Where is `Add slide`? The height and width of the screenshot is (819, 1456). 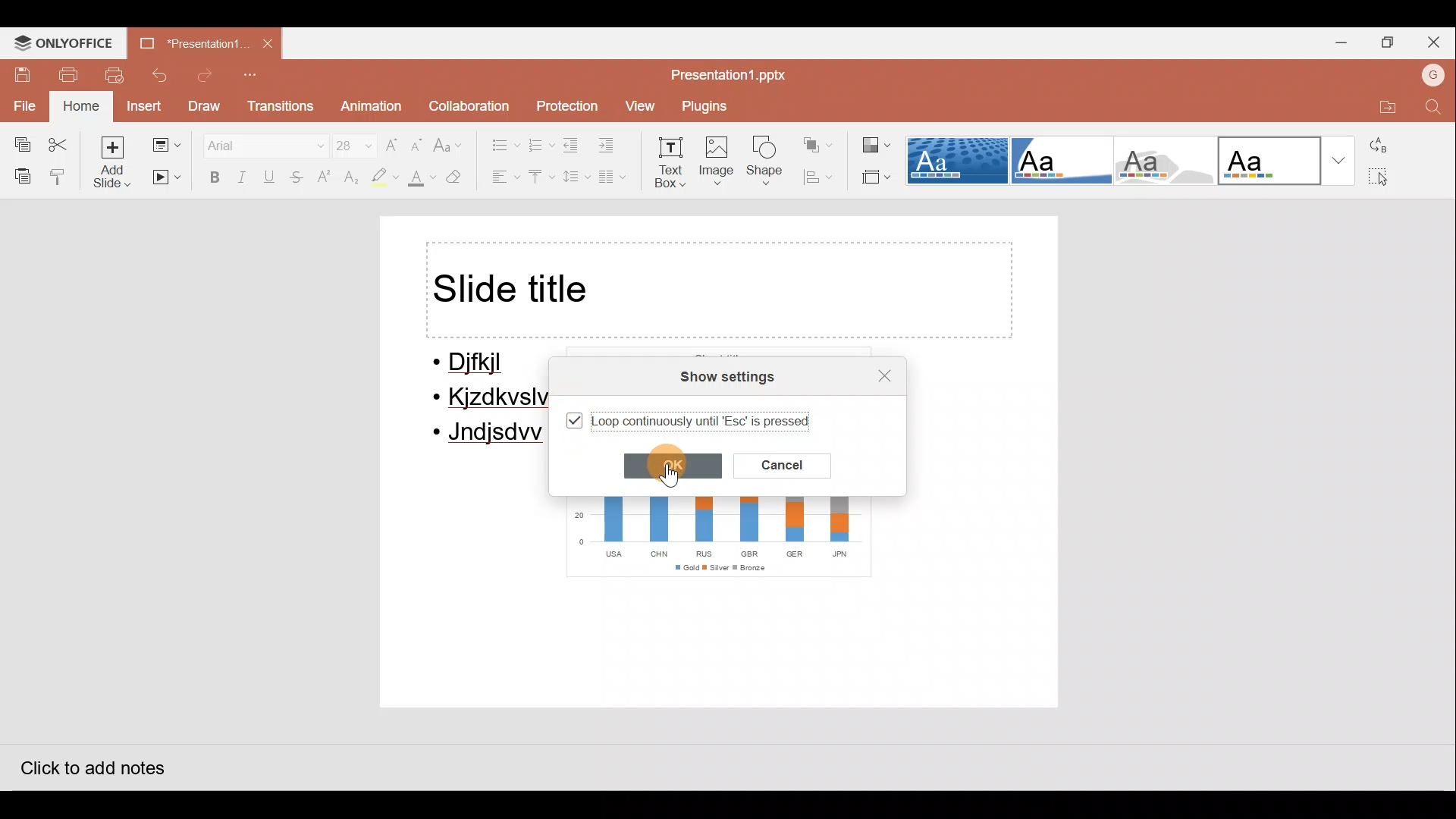
Add slide is located at coordinates (115, 165).